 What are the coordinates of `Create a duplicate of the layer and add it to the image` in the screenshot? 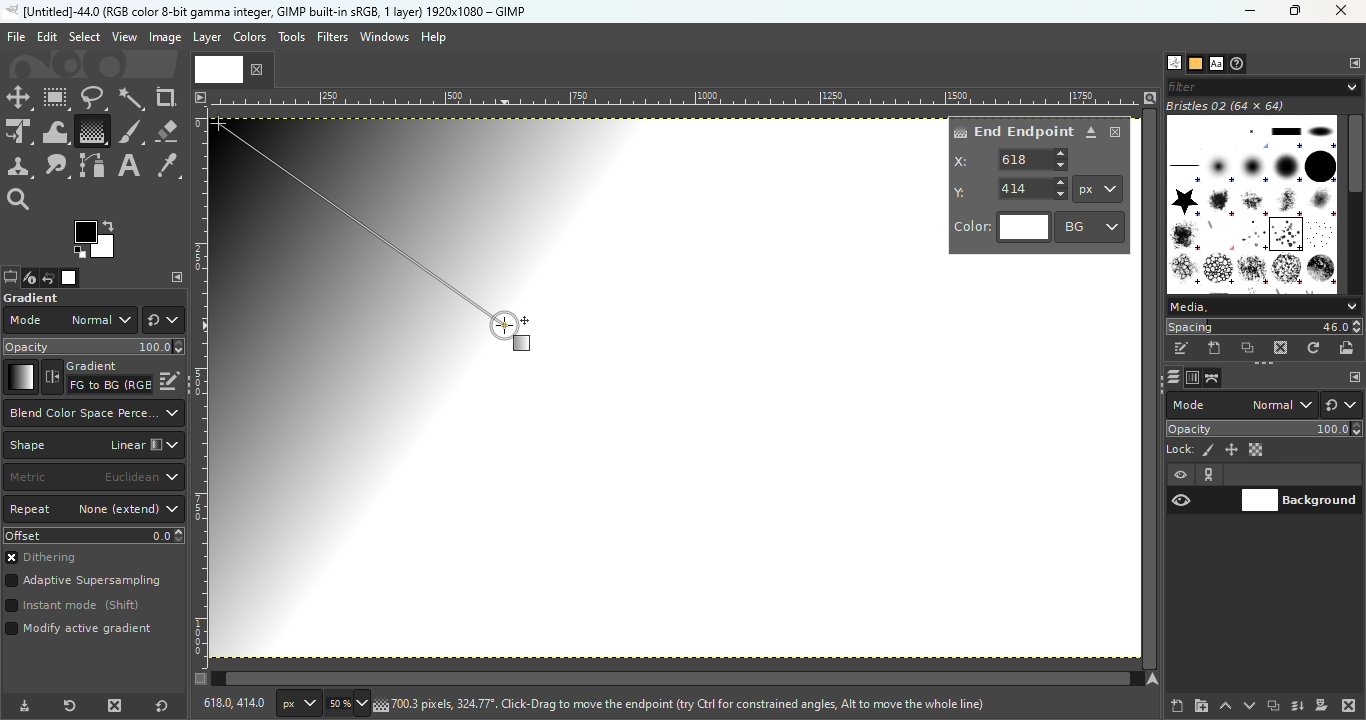 It's located at (1272, 707).